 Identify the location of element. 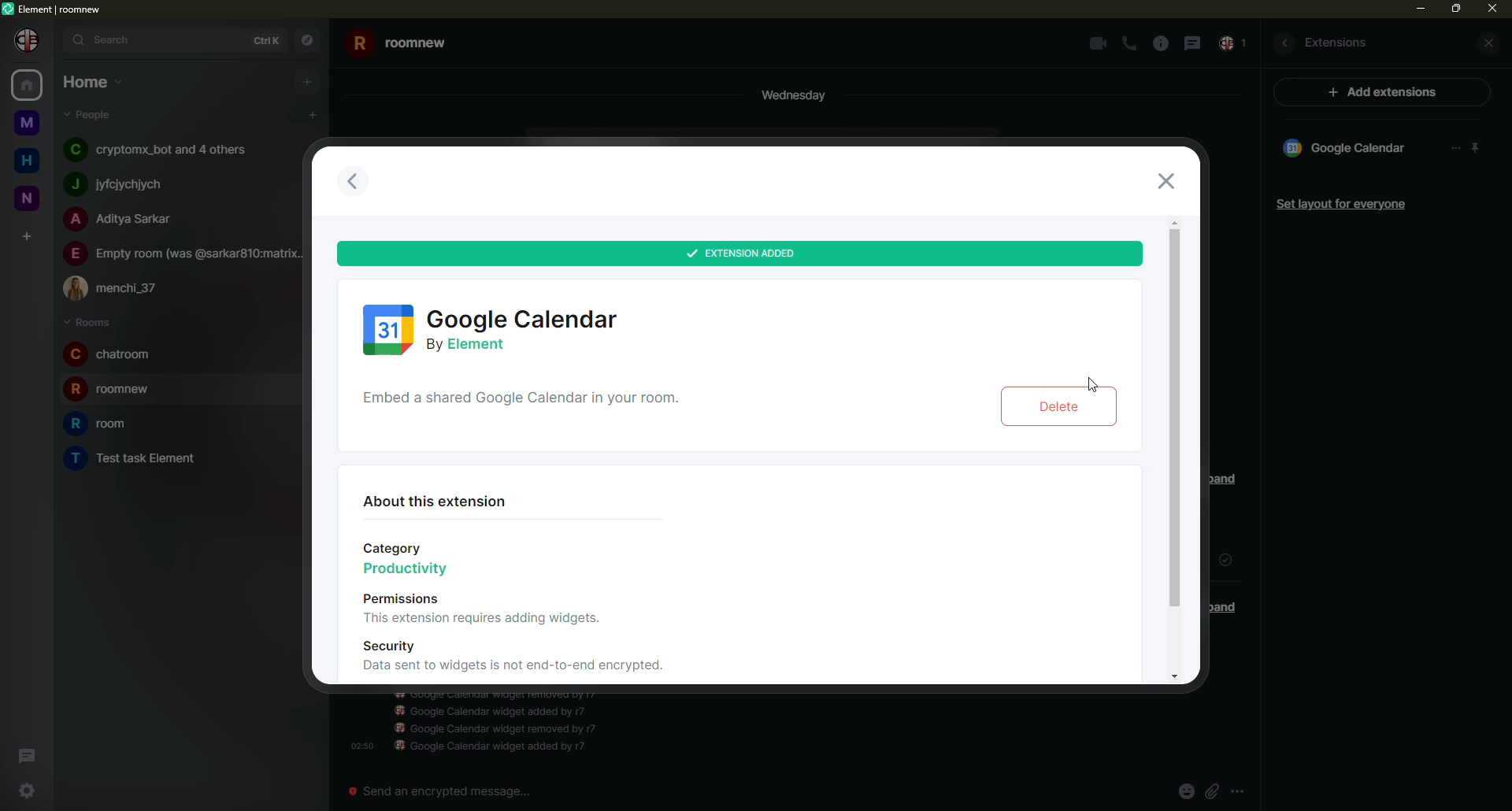
(54, 9).